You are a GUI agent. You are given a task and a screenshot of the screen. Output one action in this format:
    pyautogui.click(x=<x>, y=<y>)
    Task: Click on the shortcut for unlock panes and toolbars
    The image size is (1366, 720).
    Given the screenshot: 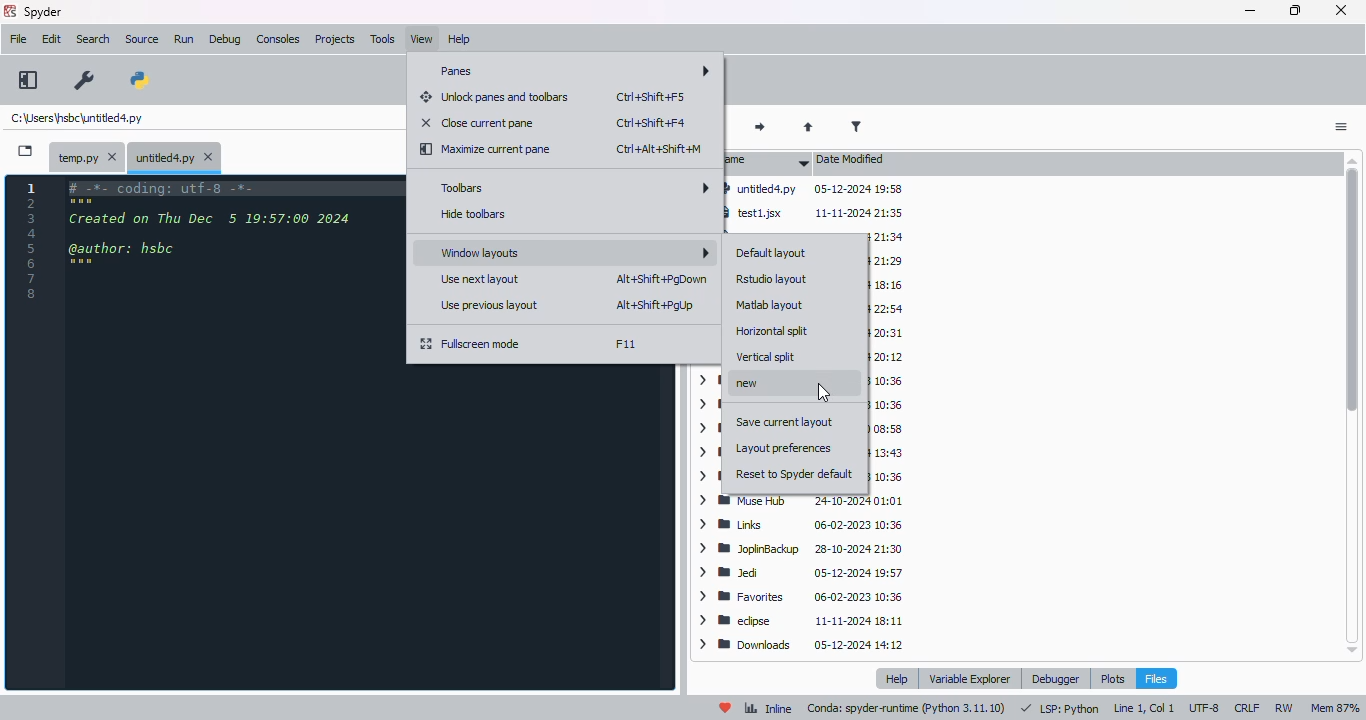 What is the action you would take?
    pyautogui.click(x=651, y=96)
    